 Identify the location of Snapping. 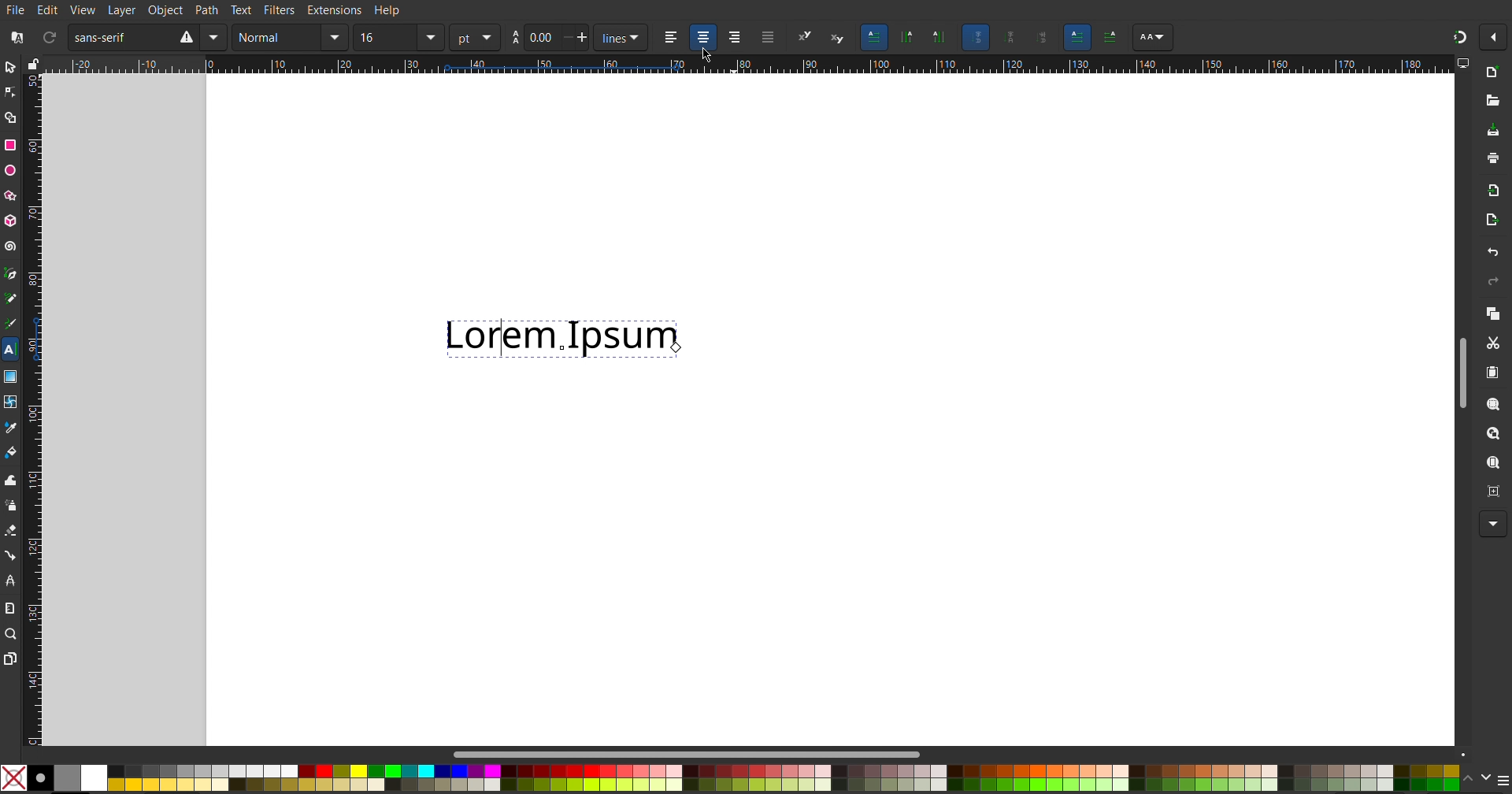
(1456, 38).